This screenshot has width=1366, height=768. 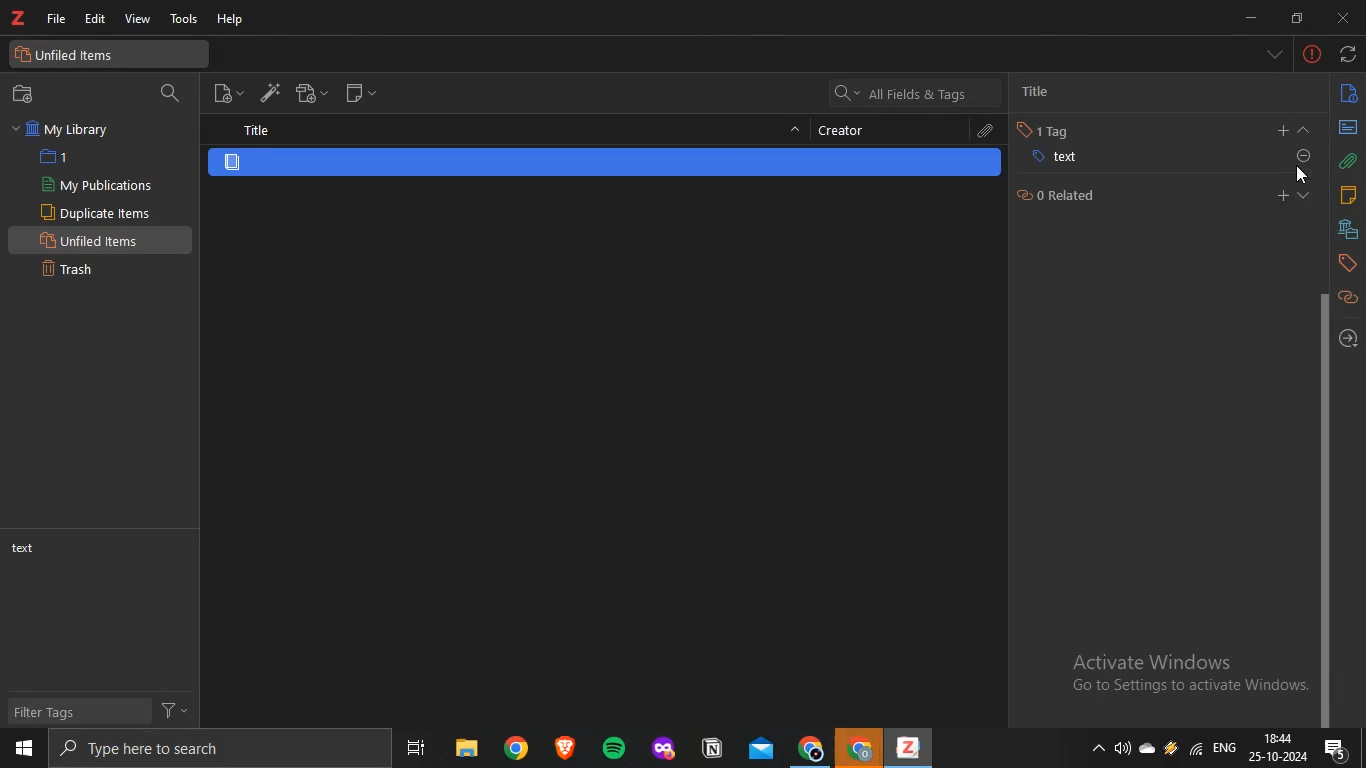 I want to click on my publications, so click(x=95, y=183).